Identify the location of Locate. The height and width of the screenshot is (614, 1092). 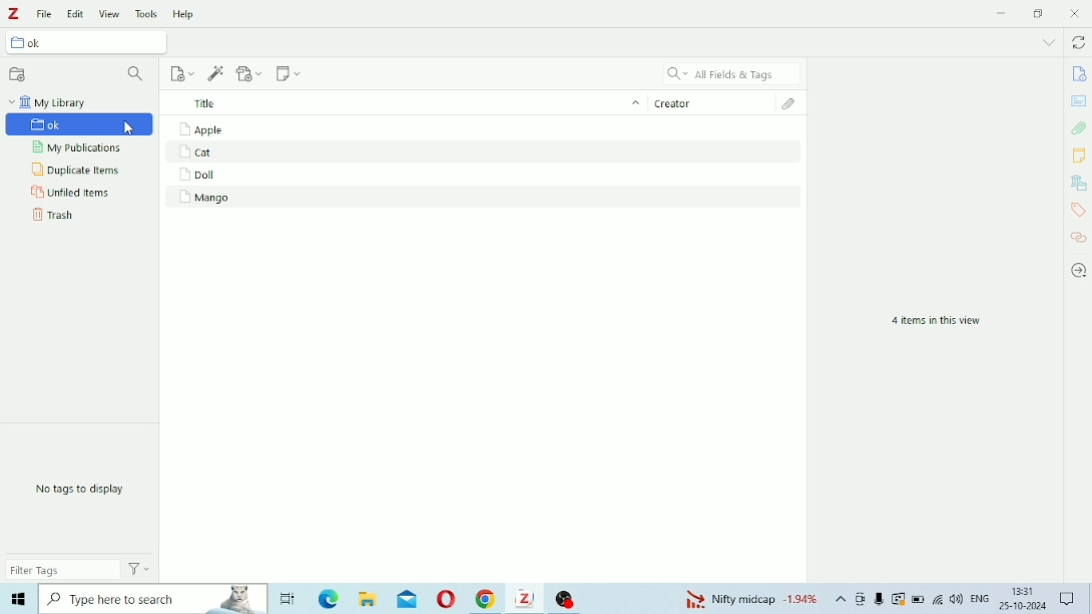
(1079, 271).